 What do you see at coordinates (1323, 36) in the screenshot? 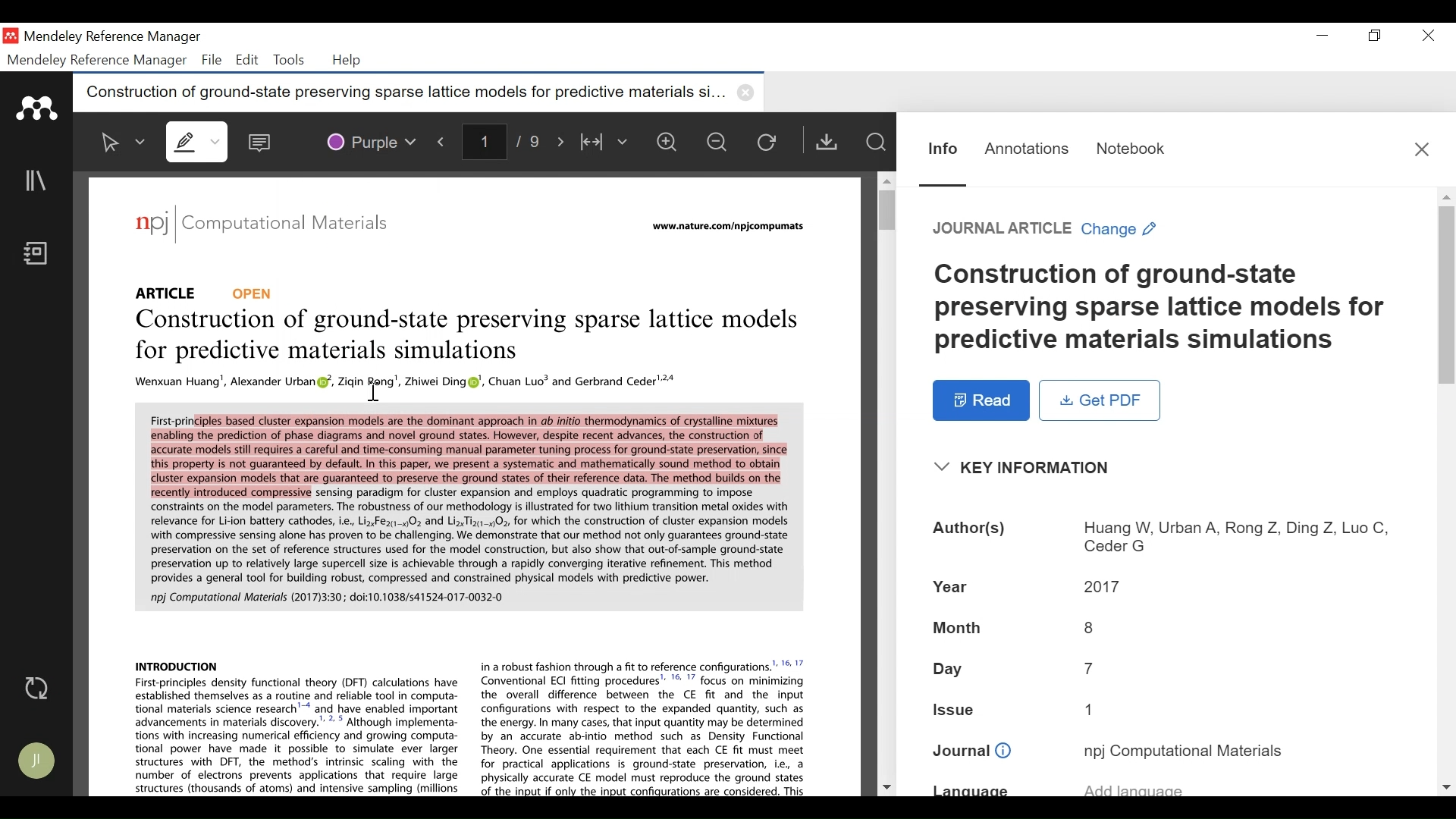
I see `minimize` at bounding box center [1323, 36].